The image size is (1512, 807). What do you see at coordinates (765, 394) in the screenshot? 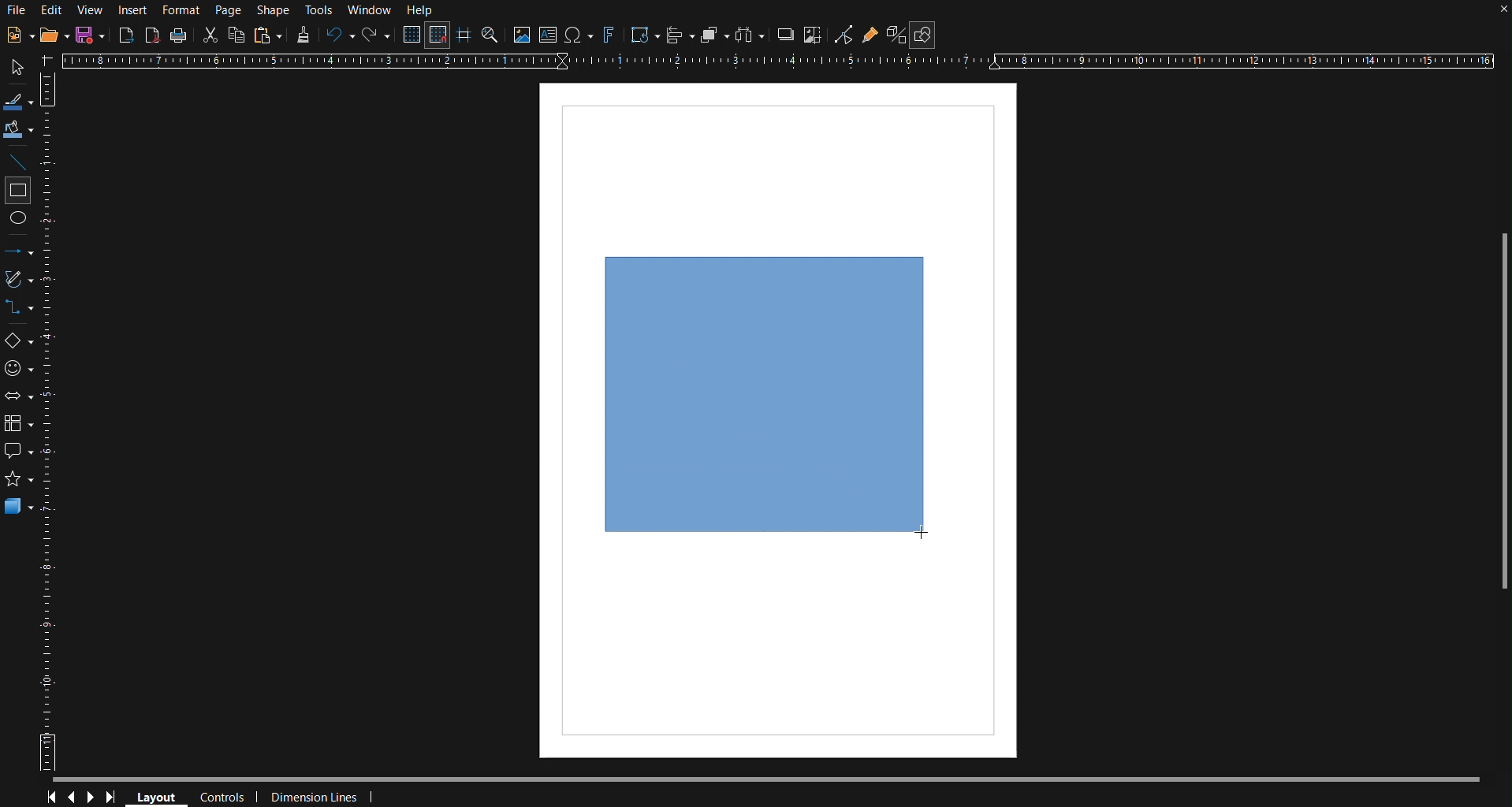
I see `Square (dragged)` at bounding box center [765, 394].